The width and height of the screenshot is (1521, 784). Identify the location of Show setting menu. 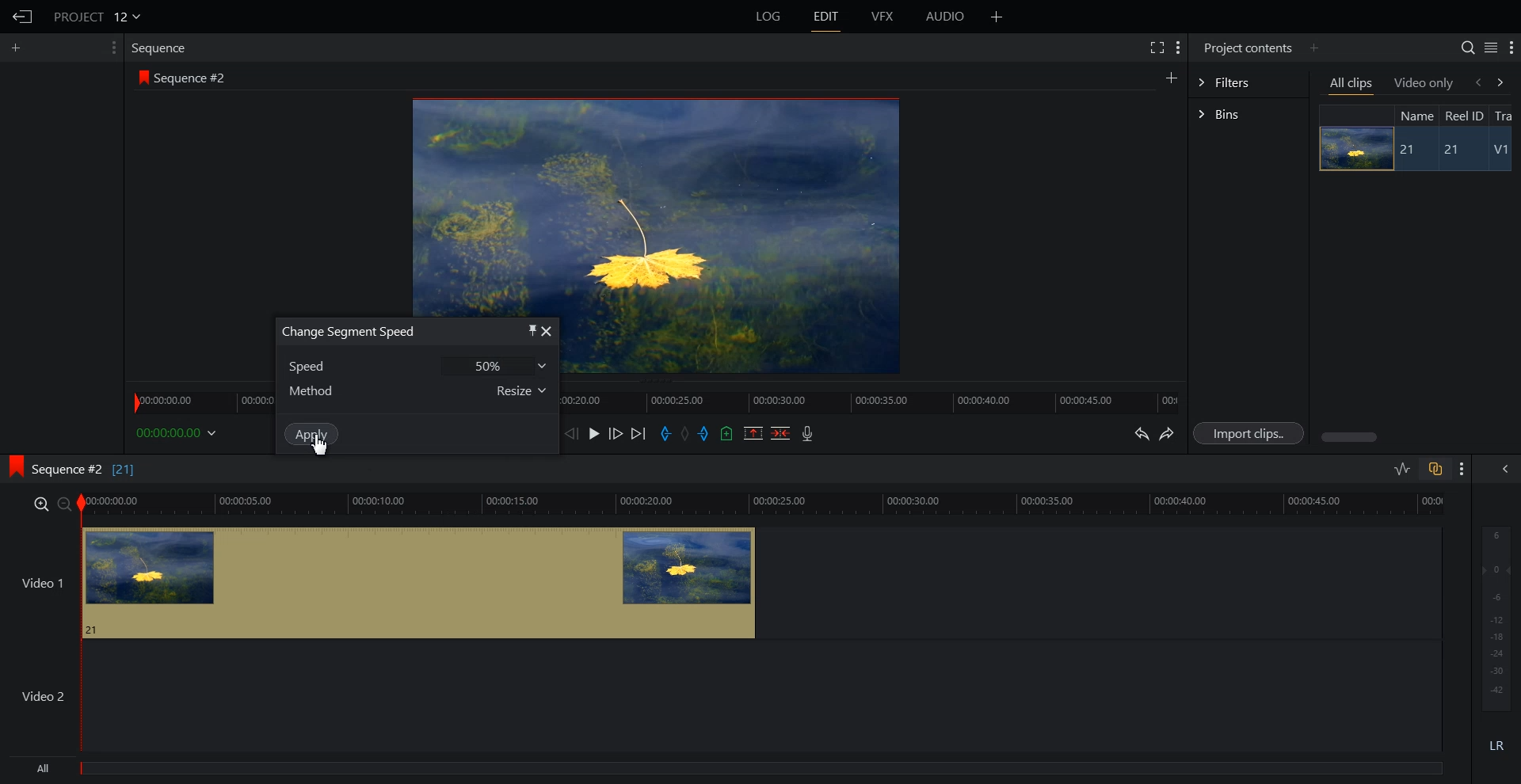
(1462, 469).